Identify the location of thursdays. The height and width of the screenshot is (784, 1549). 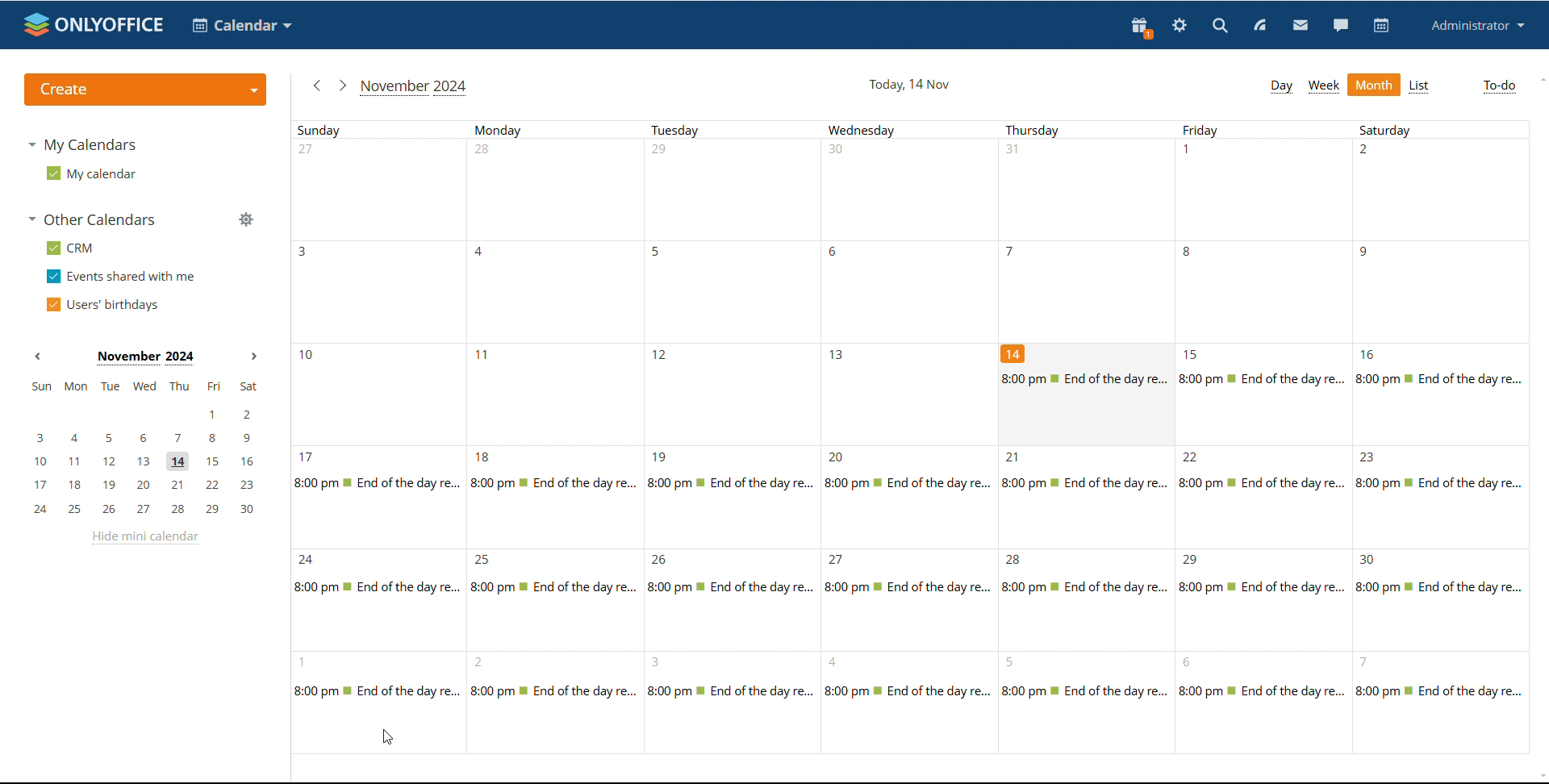
(1087, 381).